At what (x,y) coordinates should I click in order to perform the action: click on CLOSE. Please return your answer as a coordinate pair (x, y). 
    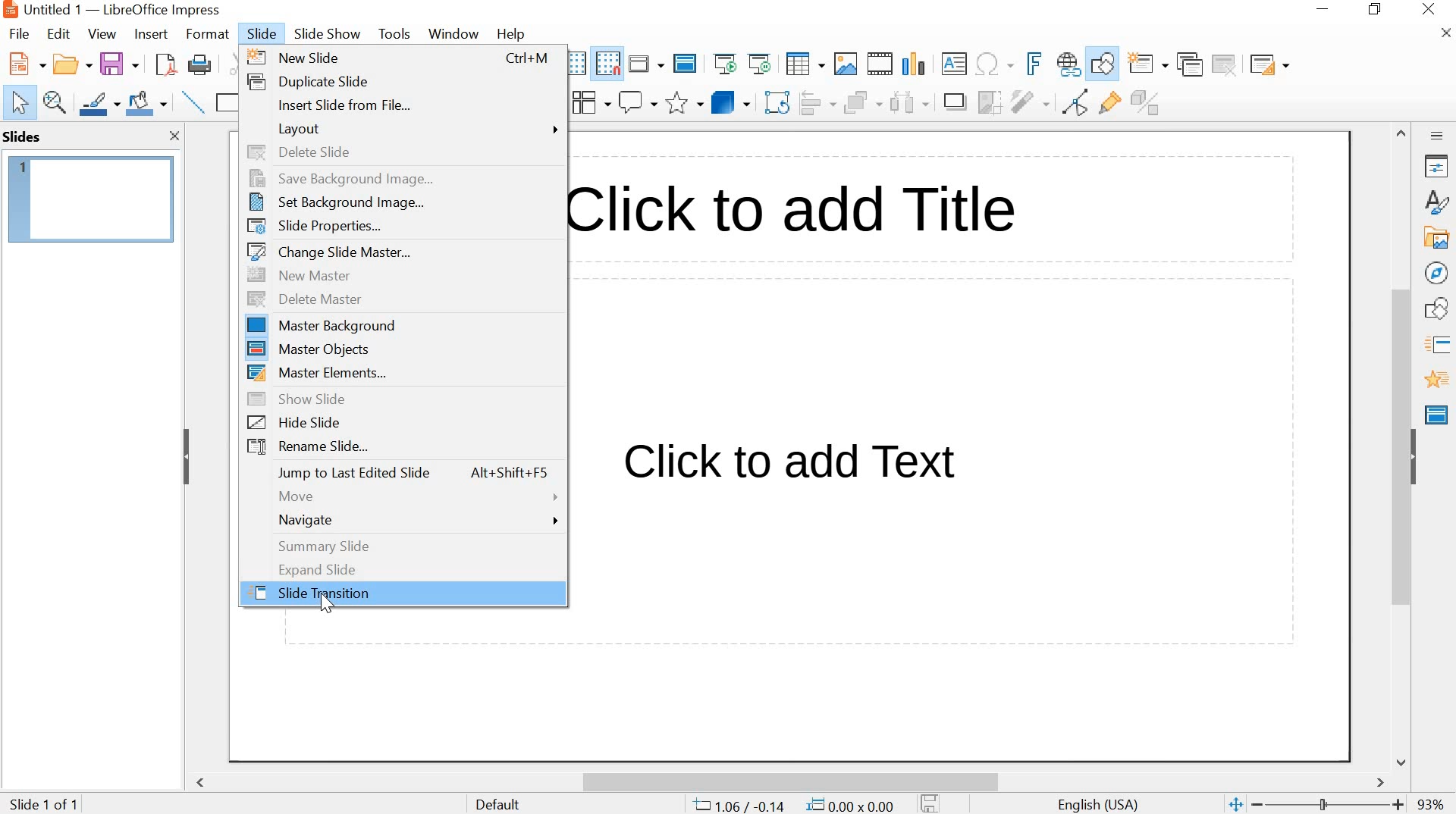
    Looking at the image, I should click on (1430, 9).